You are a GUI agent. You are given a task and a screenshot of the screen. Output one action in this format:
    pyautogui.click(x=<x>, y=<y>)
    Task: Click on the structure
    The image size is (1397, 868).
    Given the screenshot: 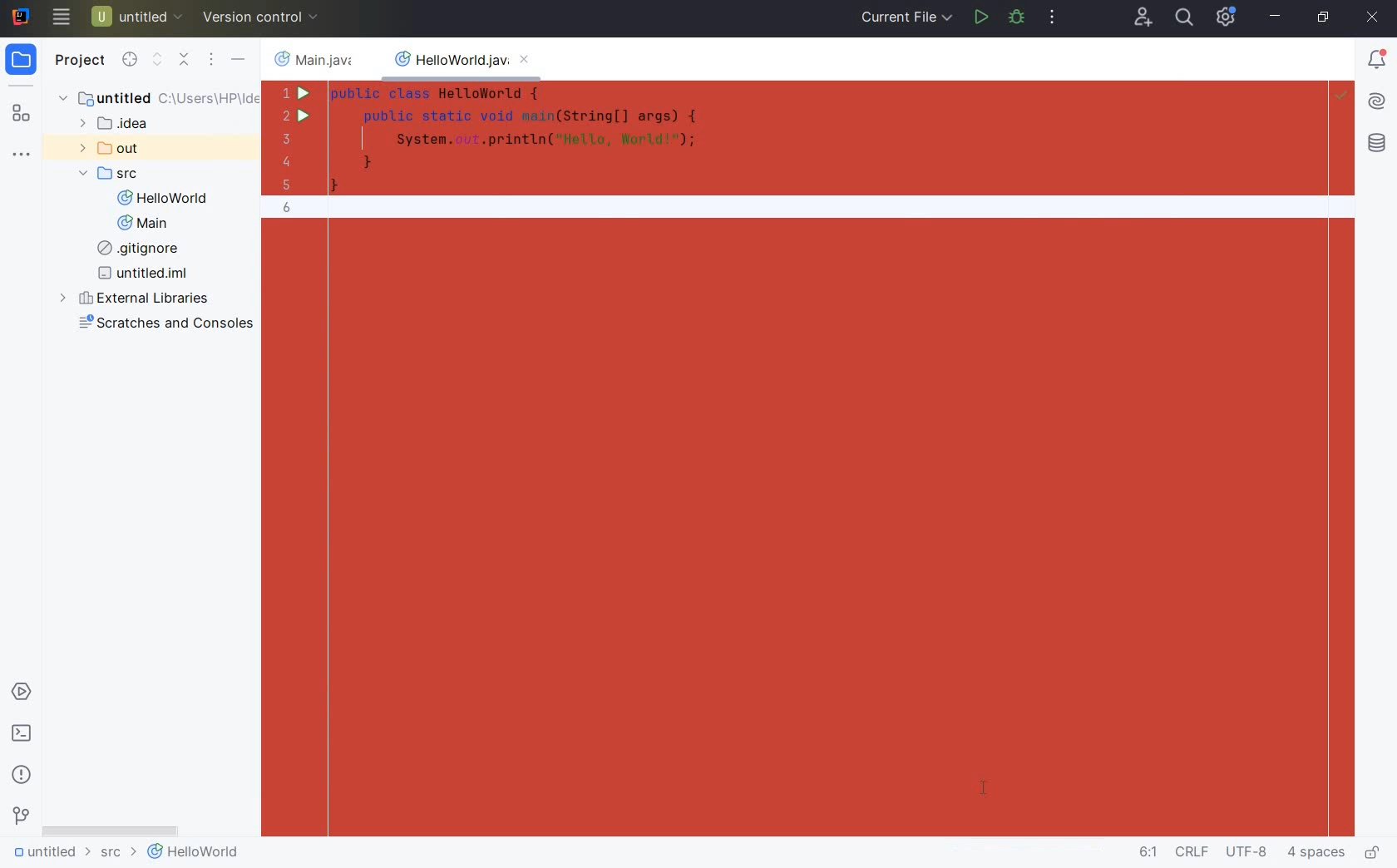 What is the action you would take?
    pyautogui.click(x=23, y=113)
    